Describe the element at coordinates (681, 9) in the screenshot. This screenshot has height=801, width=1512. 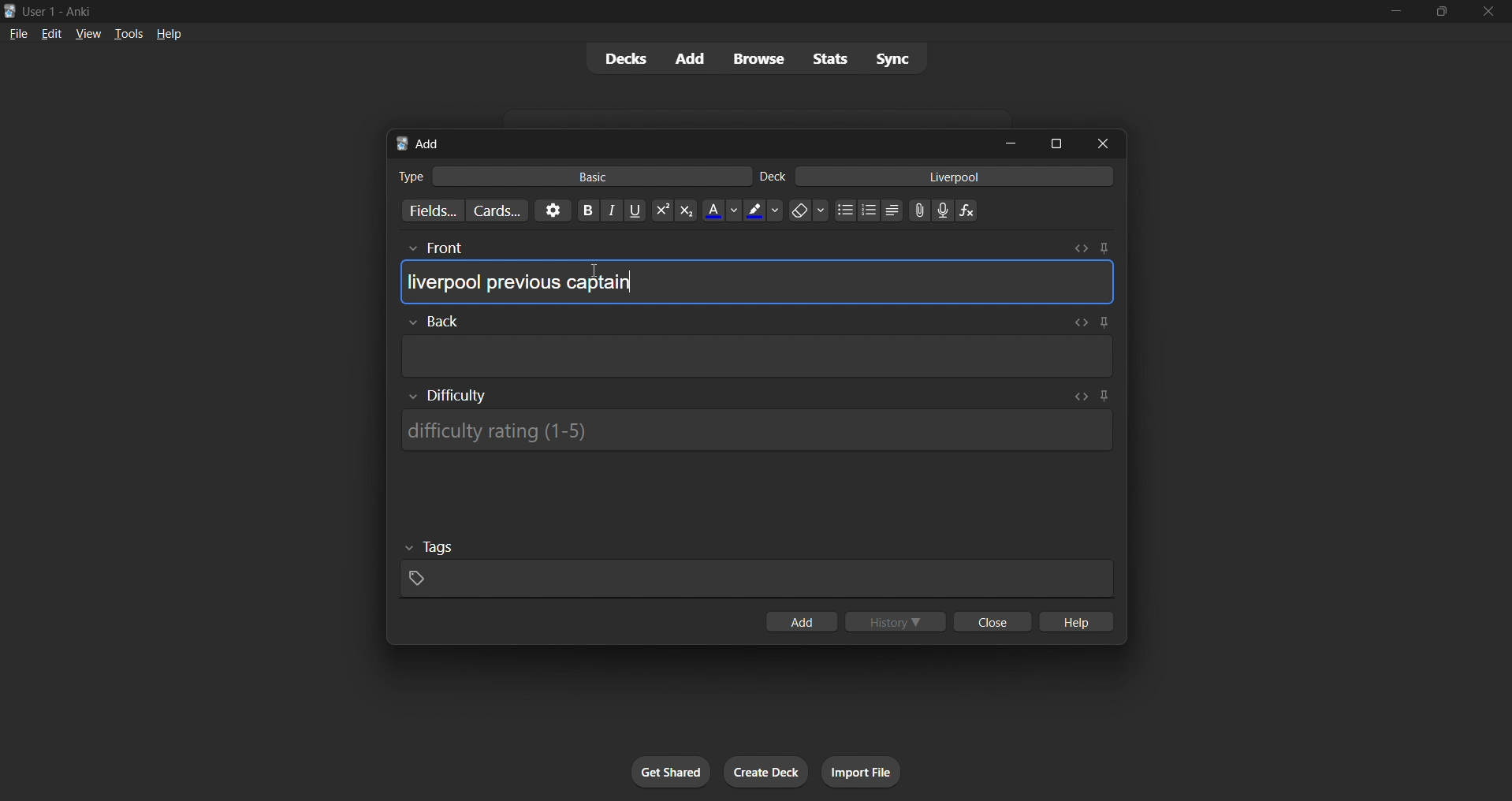
I see `title bar` at that location.